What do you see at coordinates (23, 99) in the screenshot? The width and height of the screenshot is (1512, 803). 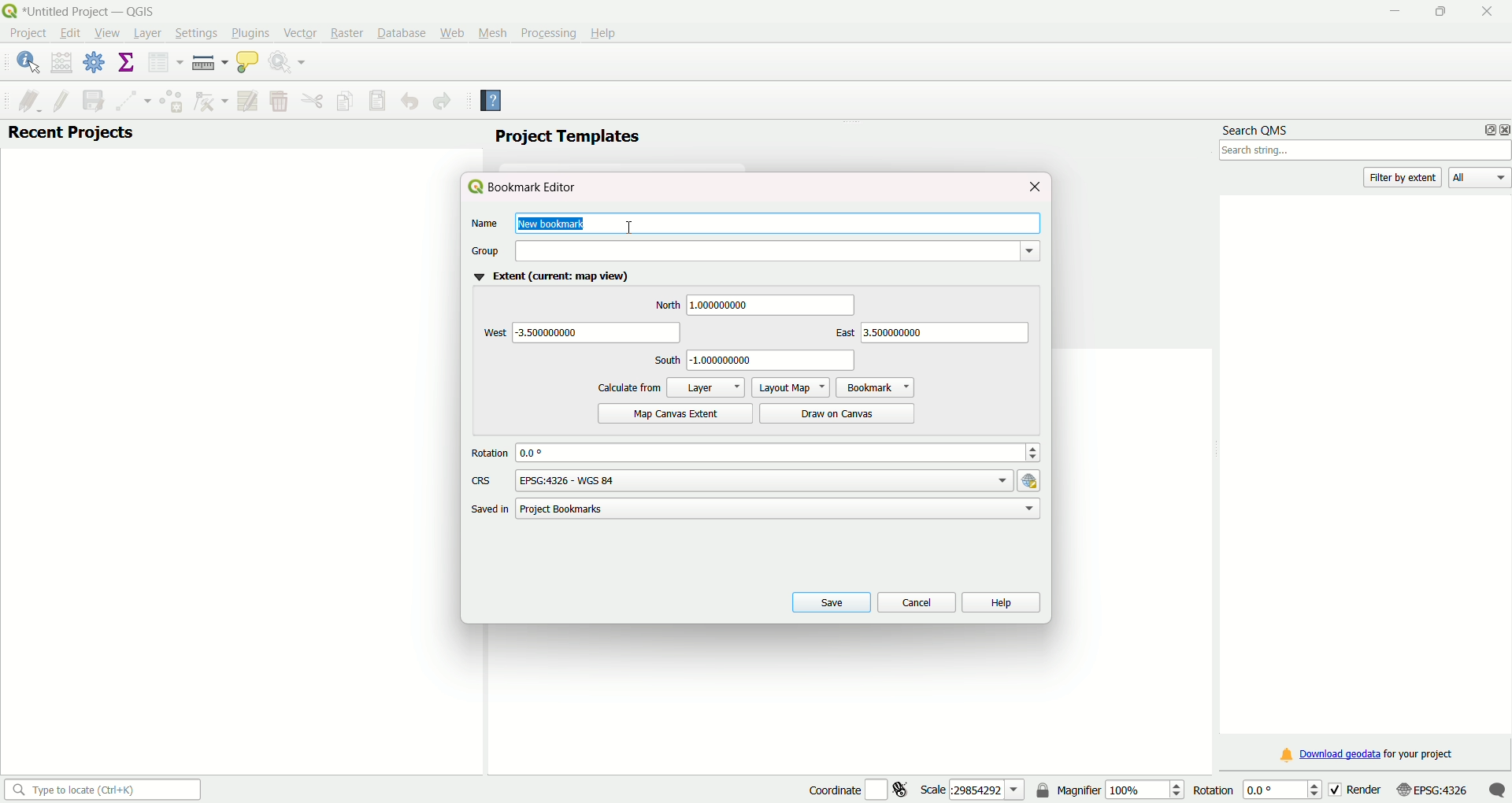 I see `current edit` at bounding box center [23, 99].